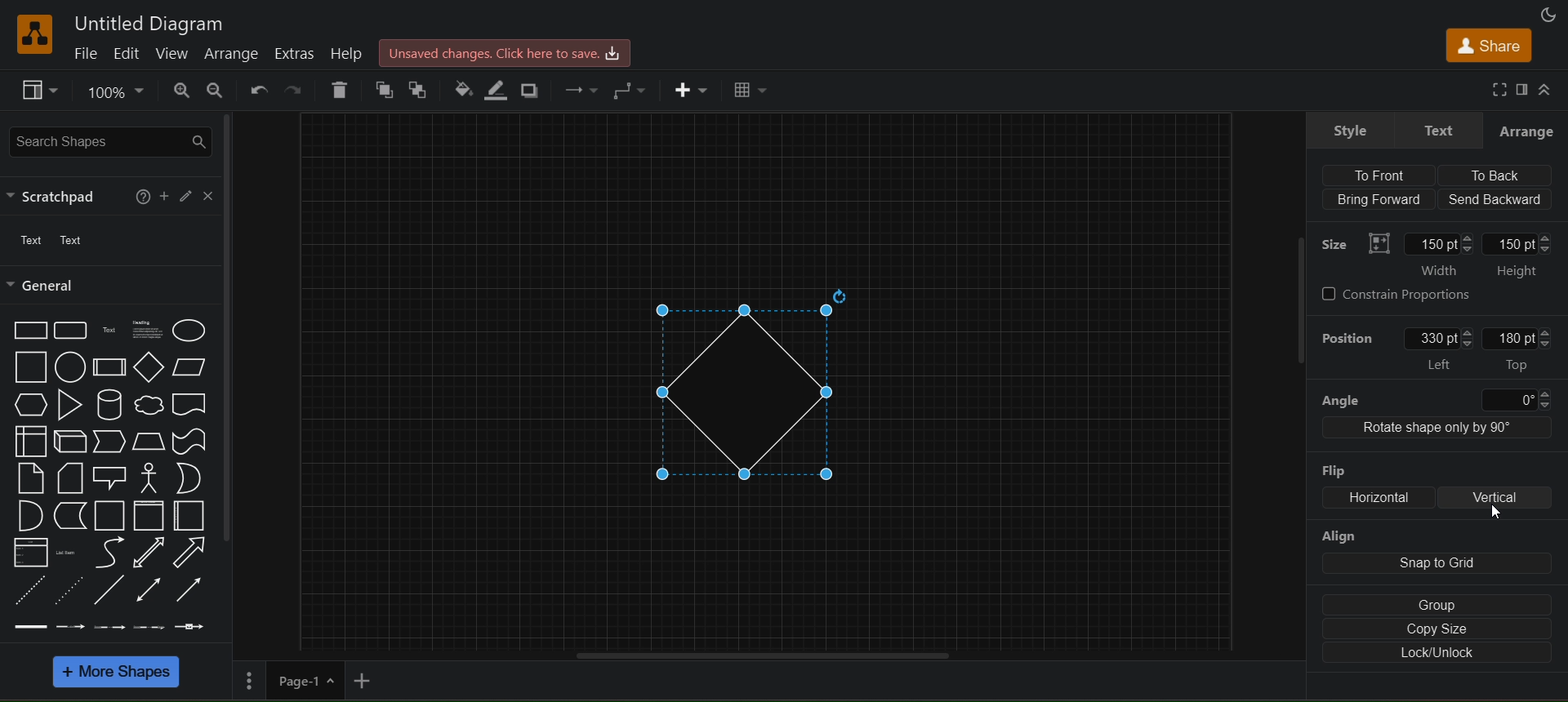  Describe the element at coordinates (1434, 298) in the screenshot. I see `constrain properties` at that location.